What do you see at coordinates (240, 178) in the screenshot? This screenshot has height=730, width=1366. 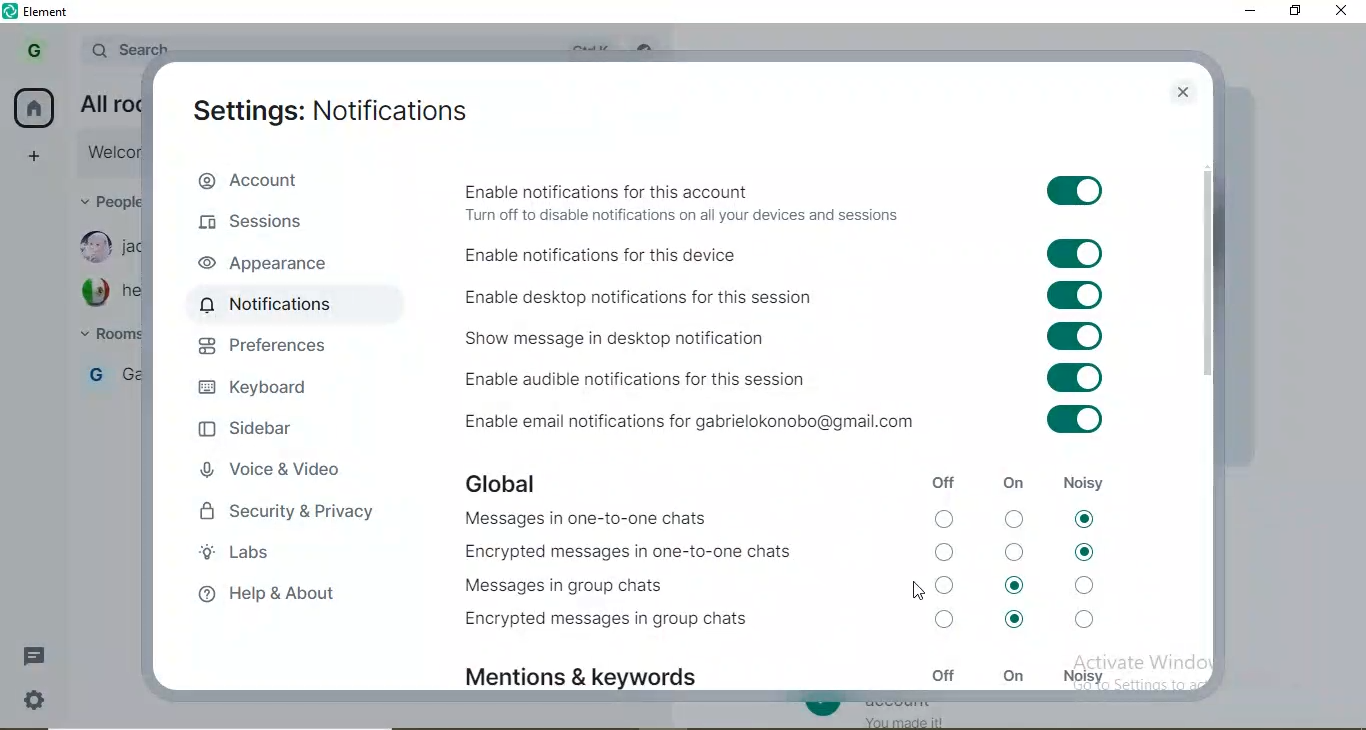 I see `account` at bounding box center [240, 178].